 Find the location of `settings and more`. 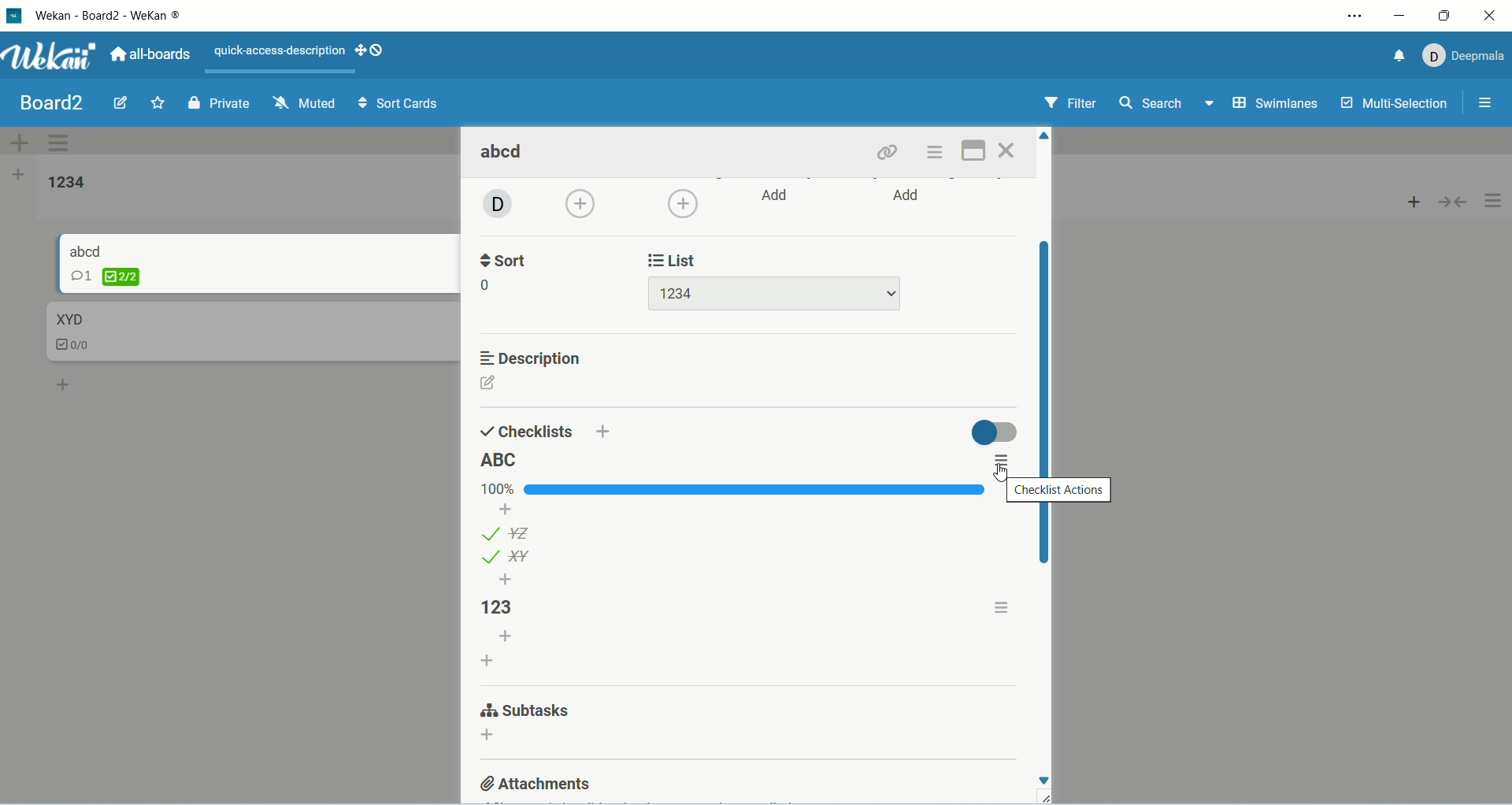

settings and more is located at coordinates (1354, 17).